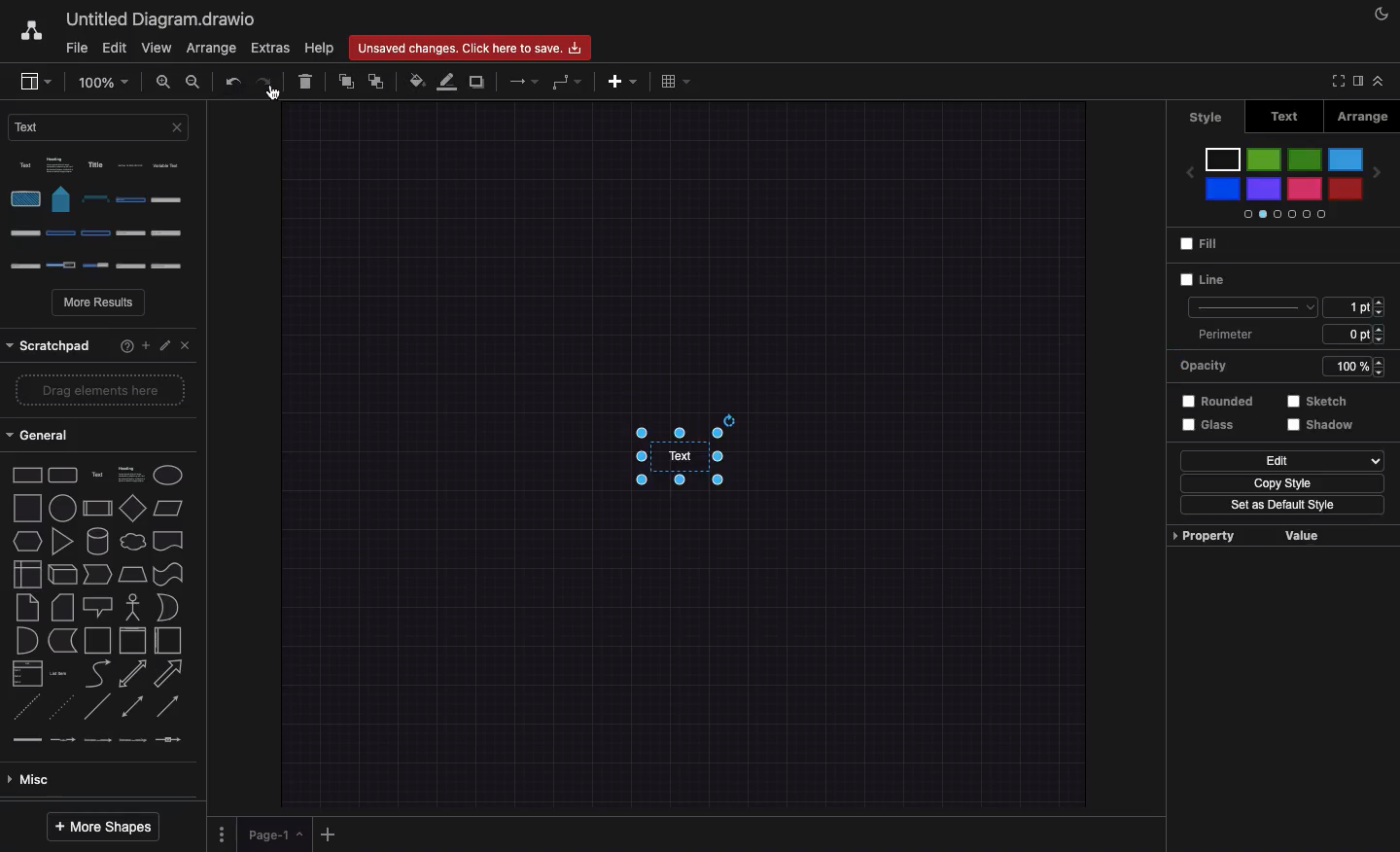 This screenshot has height=852, width=1400. I want to click on Shapes, so click(99, 605).